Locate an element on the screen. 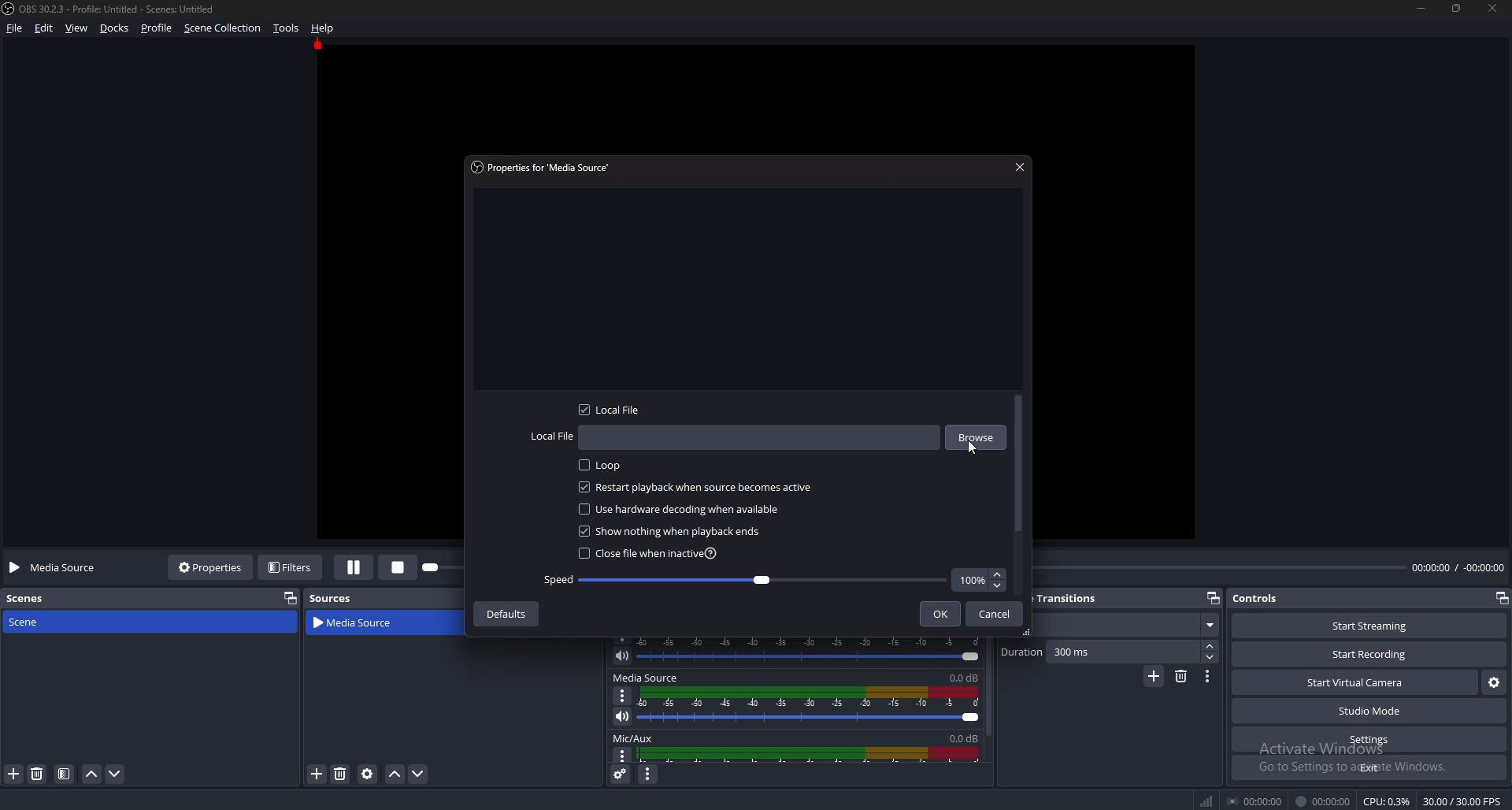 The height and width of the screenshot is (810, 1512). settings is located at coordinates (1367, 740).